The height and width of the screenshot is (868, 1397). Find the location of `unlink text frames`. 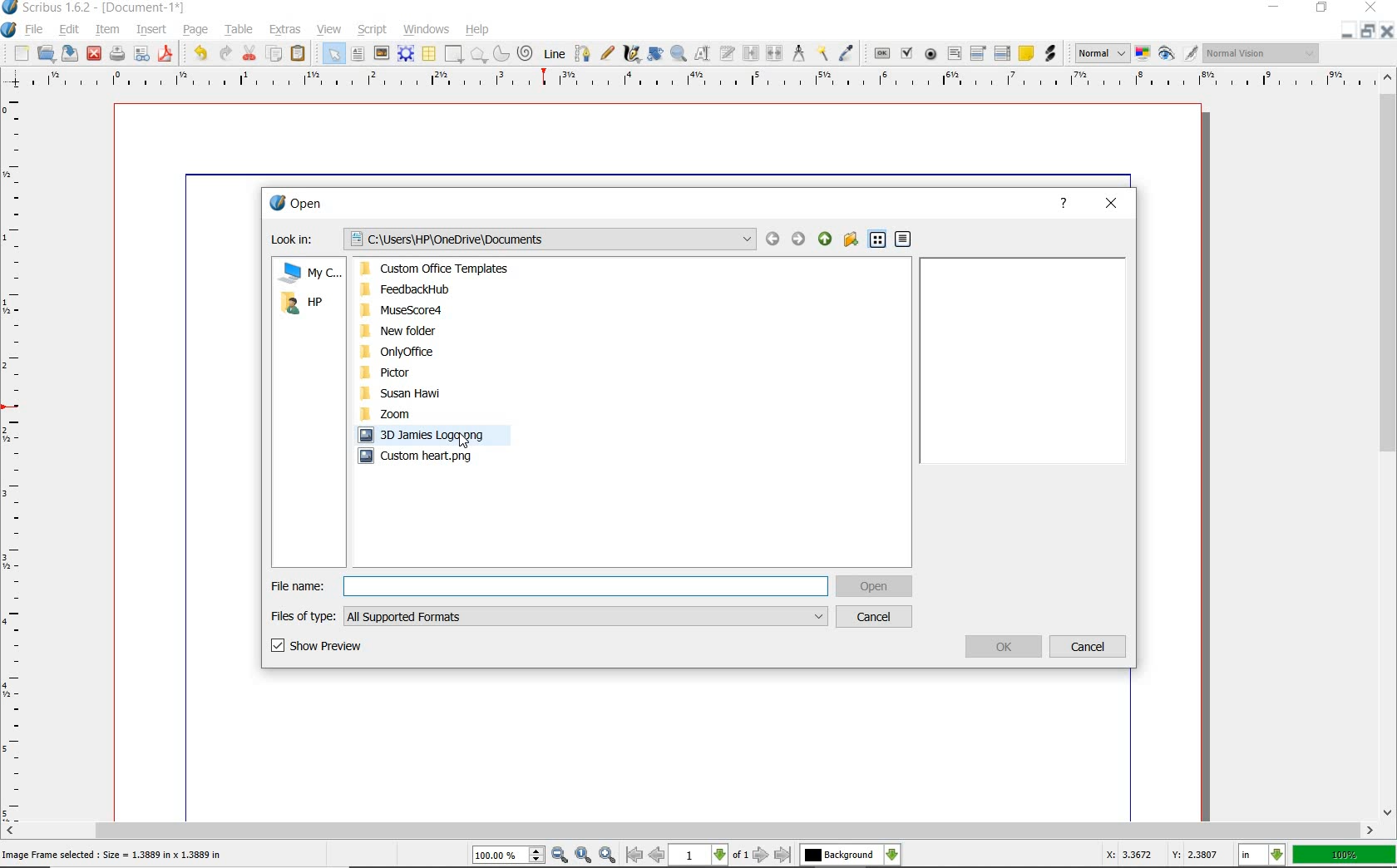

unlink text frames is located at coordinates (775, 54).